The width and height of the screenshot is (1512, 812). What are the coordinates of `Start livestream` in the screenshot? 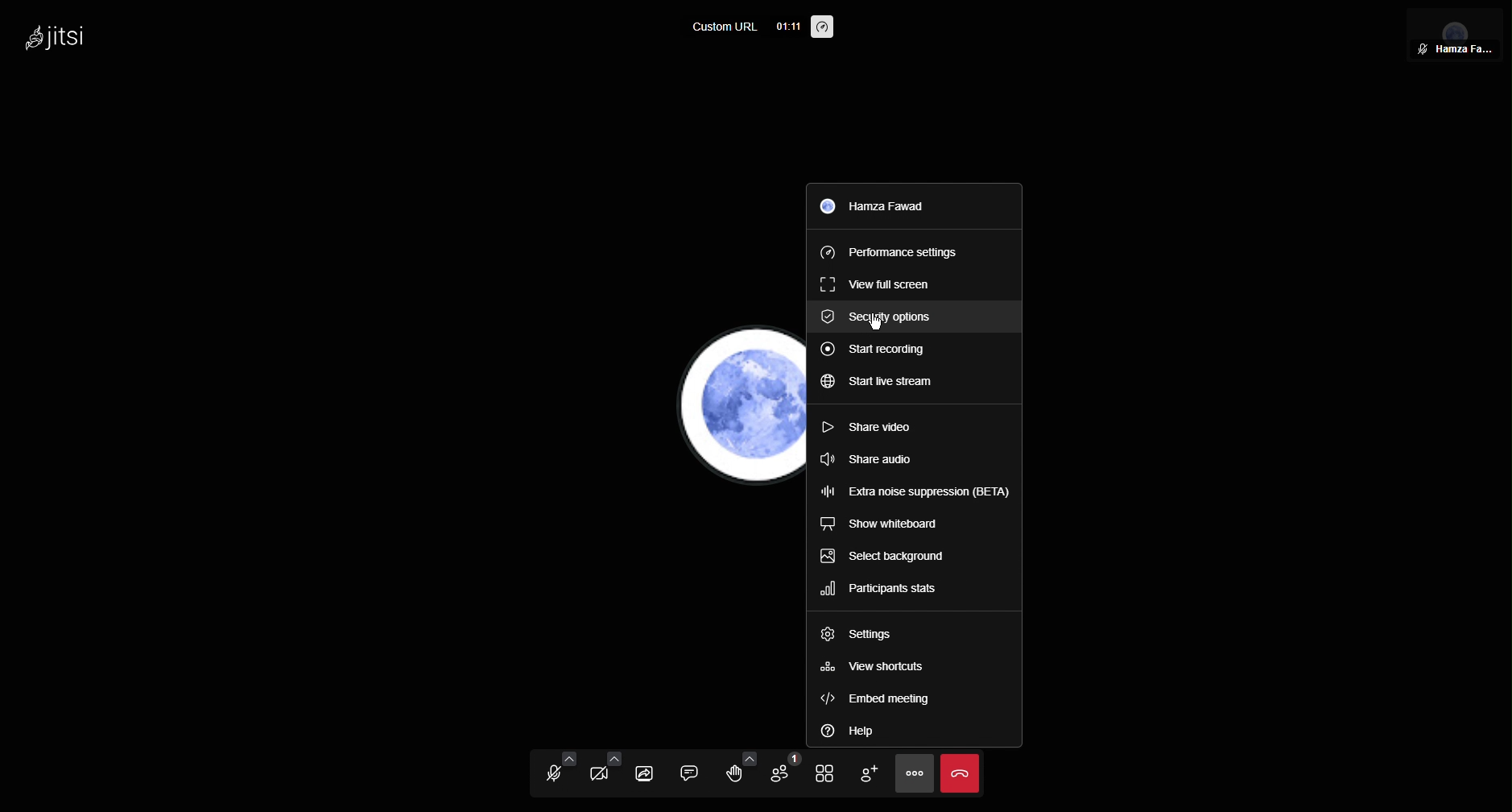 It's located at (885, 383).